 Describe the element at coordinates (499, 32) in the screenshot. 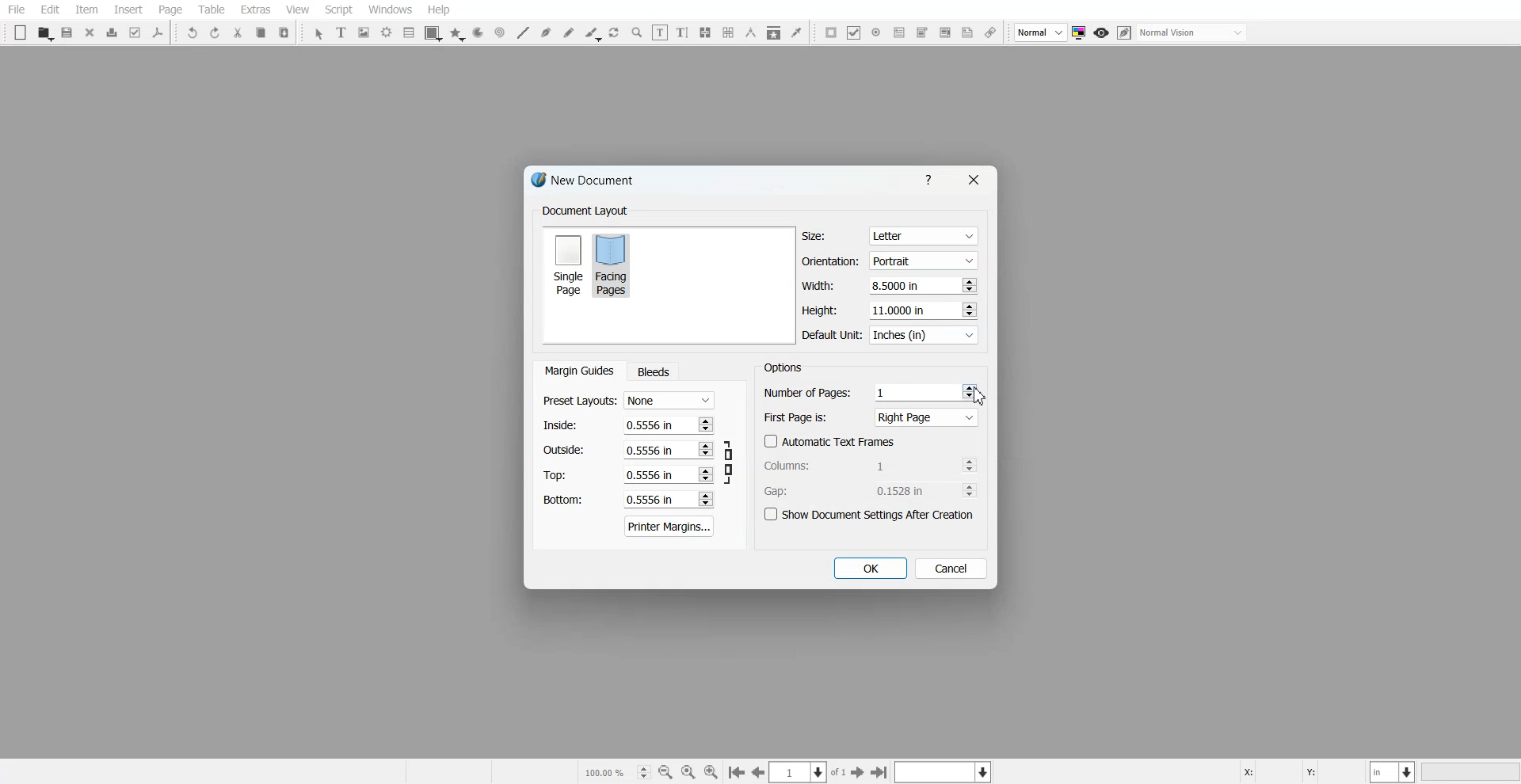

I see `Spiral` at that location.